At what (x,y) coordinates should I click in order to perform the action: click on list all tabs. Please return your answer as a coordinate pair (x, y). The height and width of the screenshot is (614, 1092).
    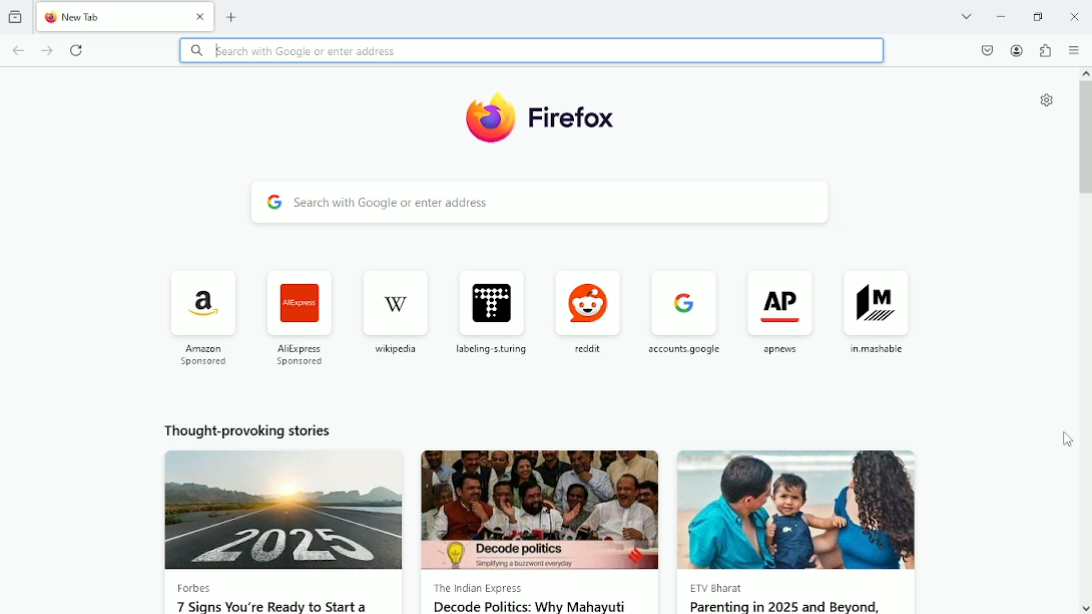
    Looking at the image, I should click on (968, 16).